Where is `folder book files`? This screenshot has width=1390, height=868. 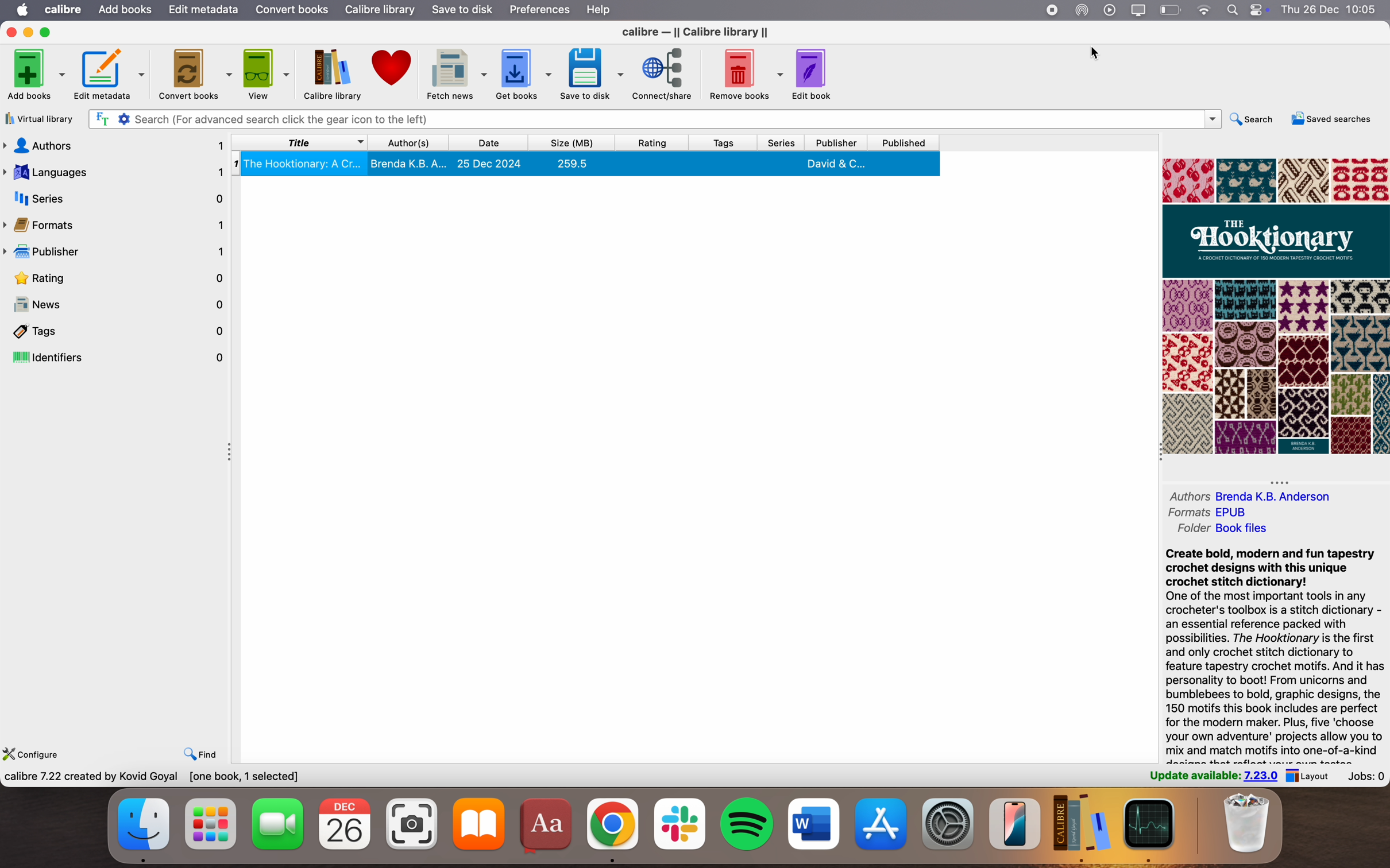 folder book files is located at coordinates (1221, 529).